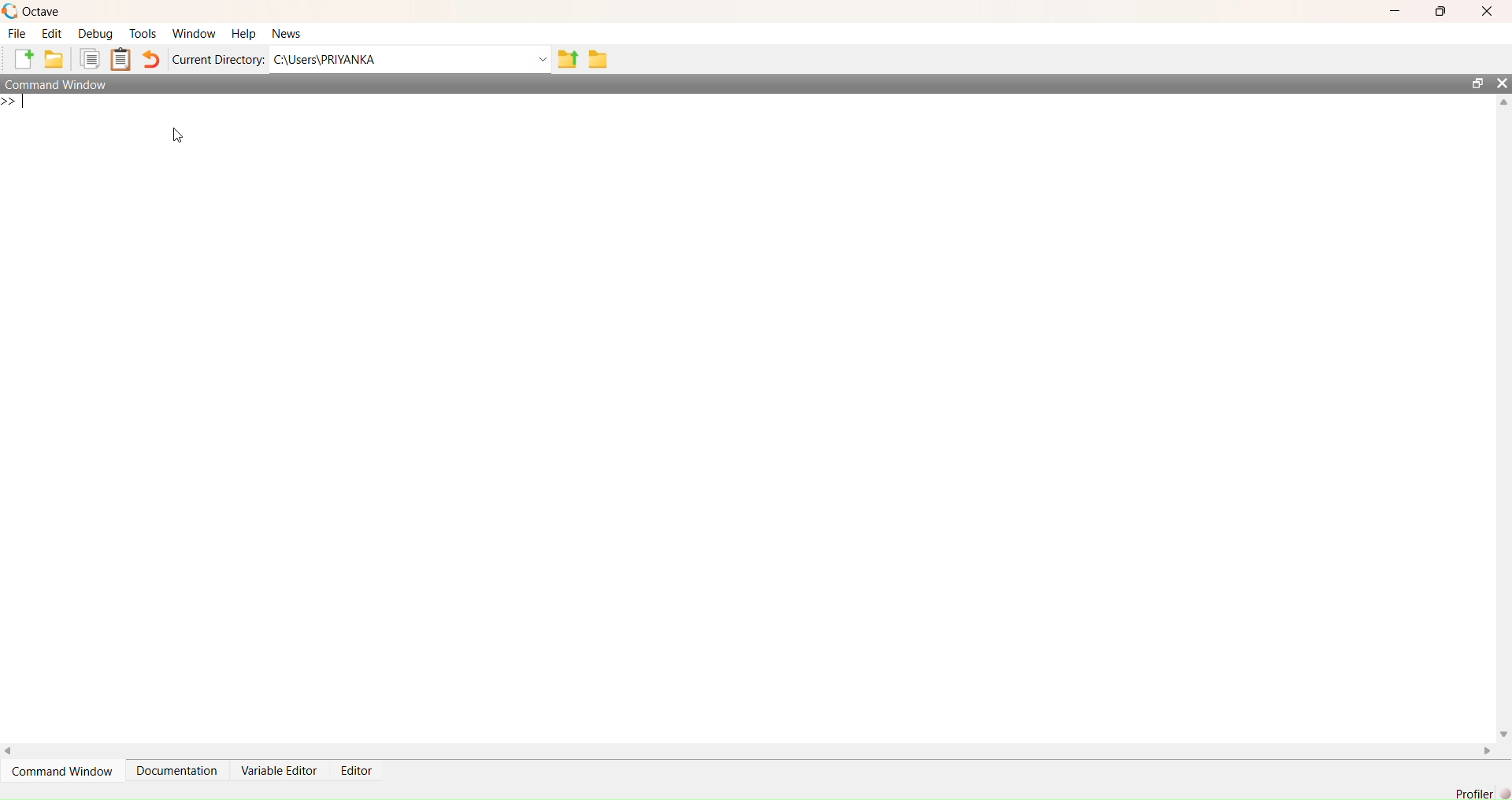 Image resolution: width=1512 pixels, height=800 pixels. What do you see at coordinates (1443, 13) in the screenshot?
I see `maximise` at bounding box center [1443, 13].